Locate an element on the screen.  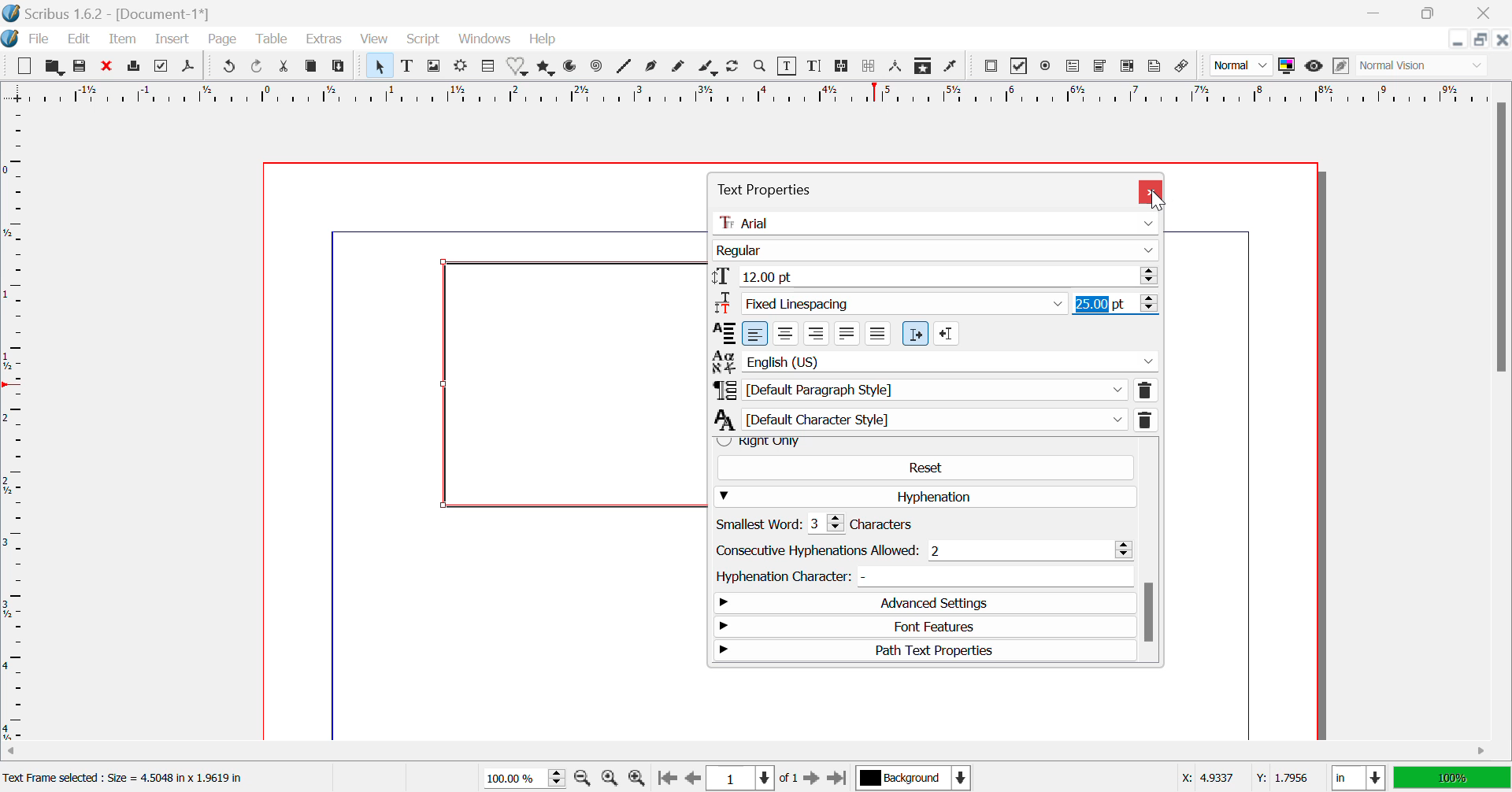
Reset is located at coordinates (925, 467).